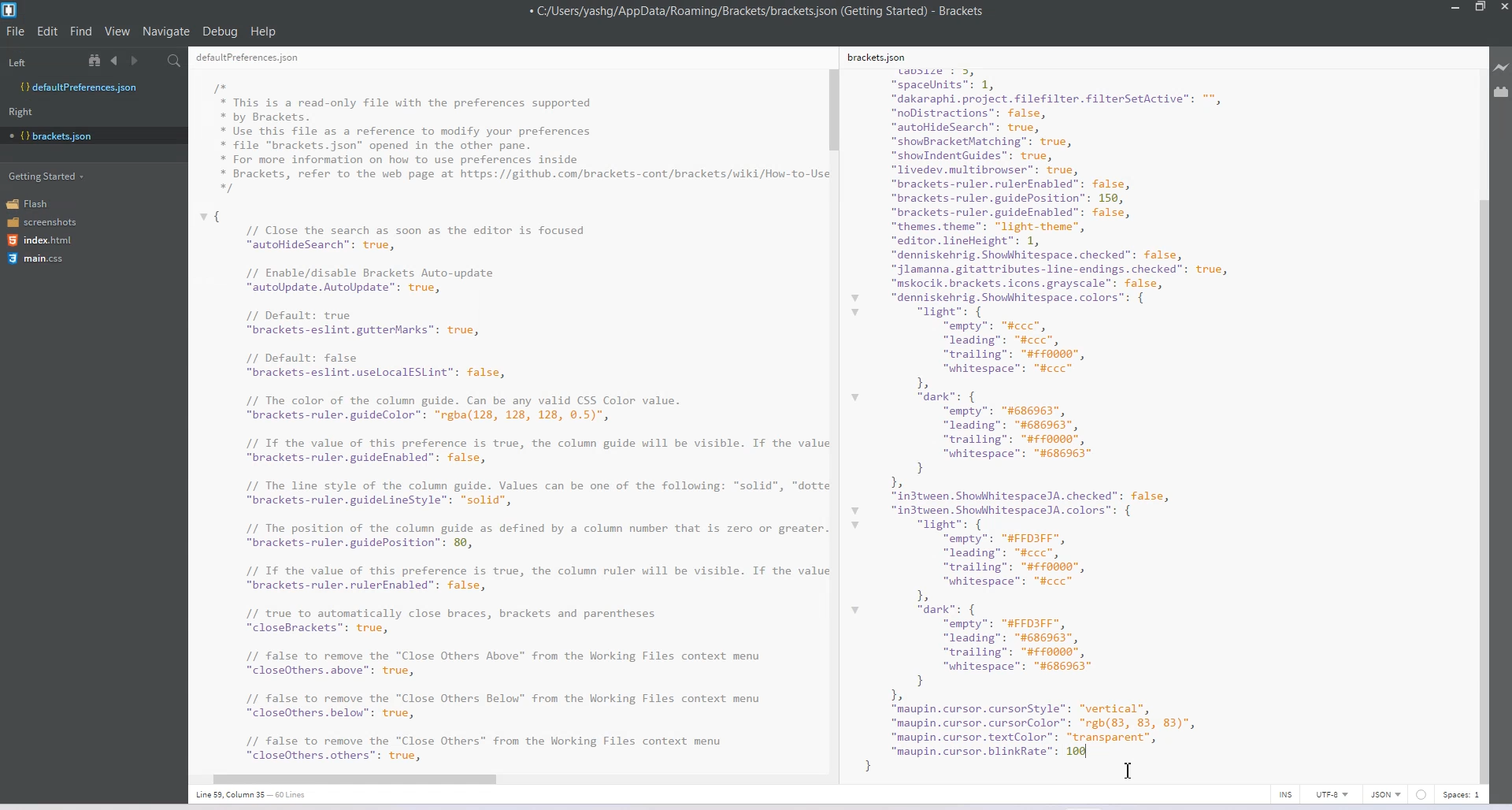 Image resolution: width=1512 pixels, height=810 pixels. What do you see at coordinates (16, 31) in the screenshot?
I see `File` at bounding box center [16, 31].